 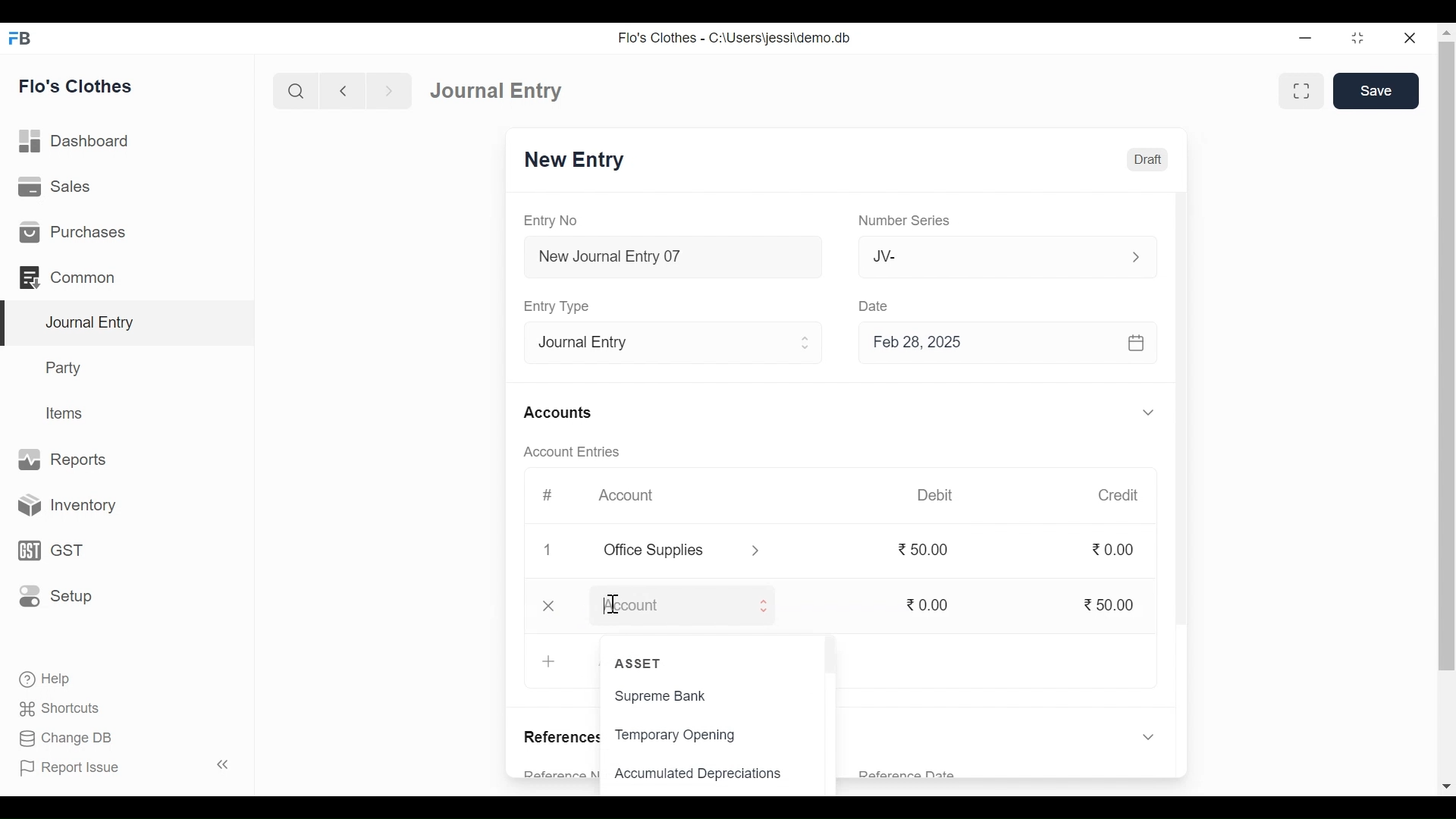 I want to click on Expand, so click(x=760, y=605).